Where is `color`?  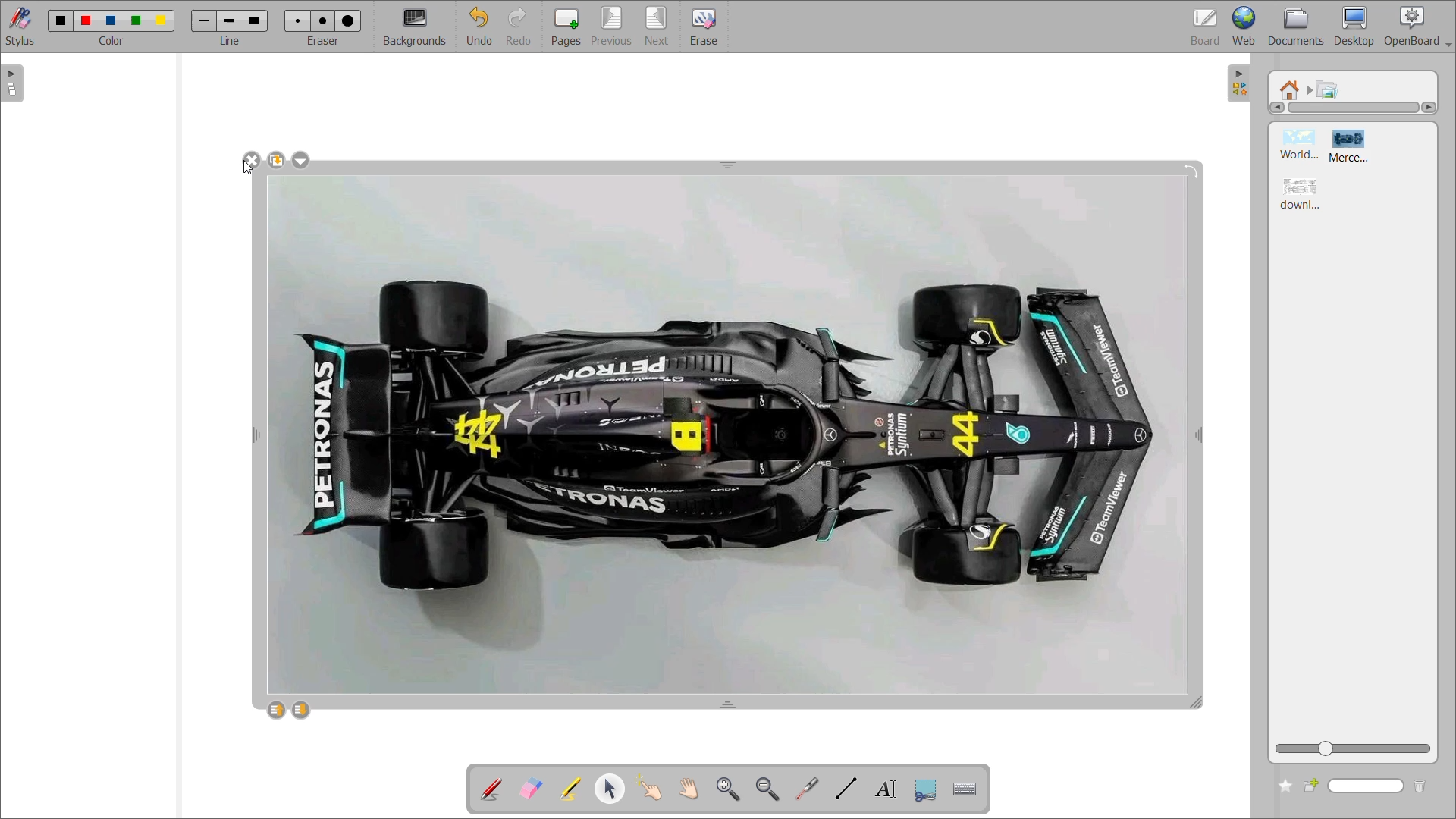
color is located at coordinates (116, 45).